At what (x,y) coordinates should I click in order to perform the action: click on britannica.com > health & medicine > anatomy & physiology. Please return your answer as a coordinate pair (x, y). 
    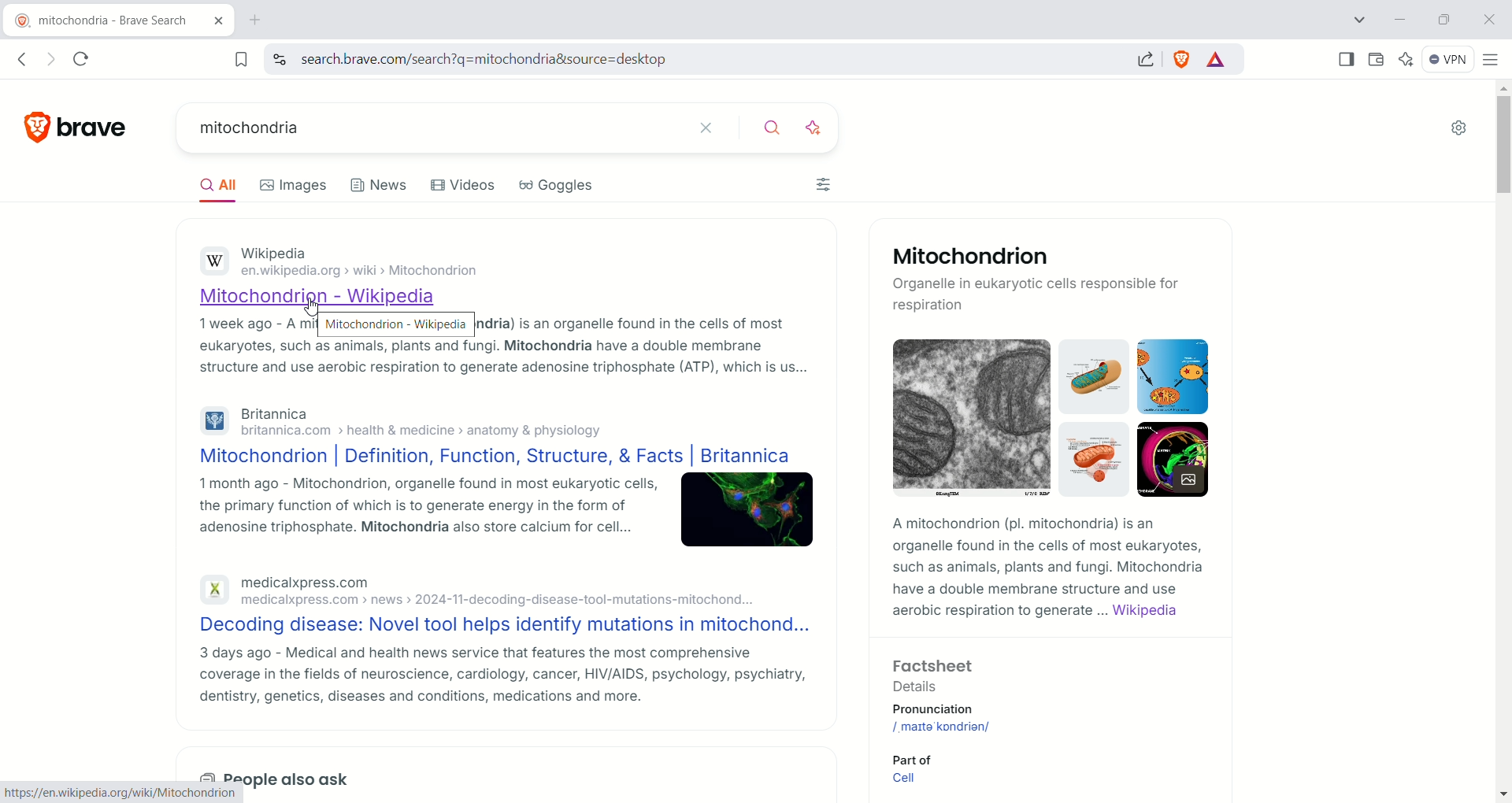
    Looking at the image, I should click on (423, 430).